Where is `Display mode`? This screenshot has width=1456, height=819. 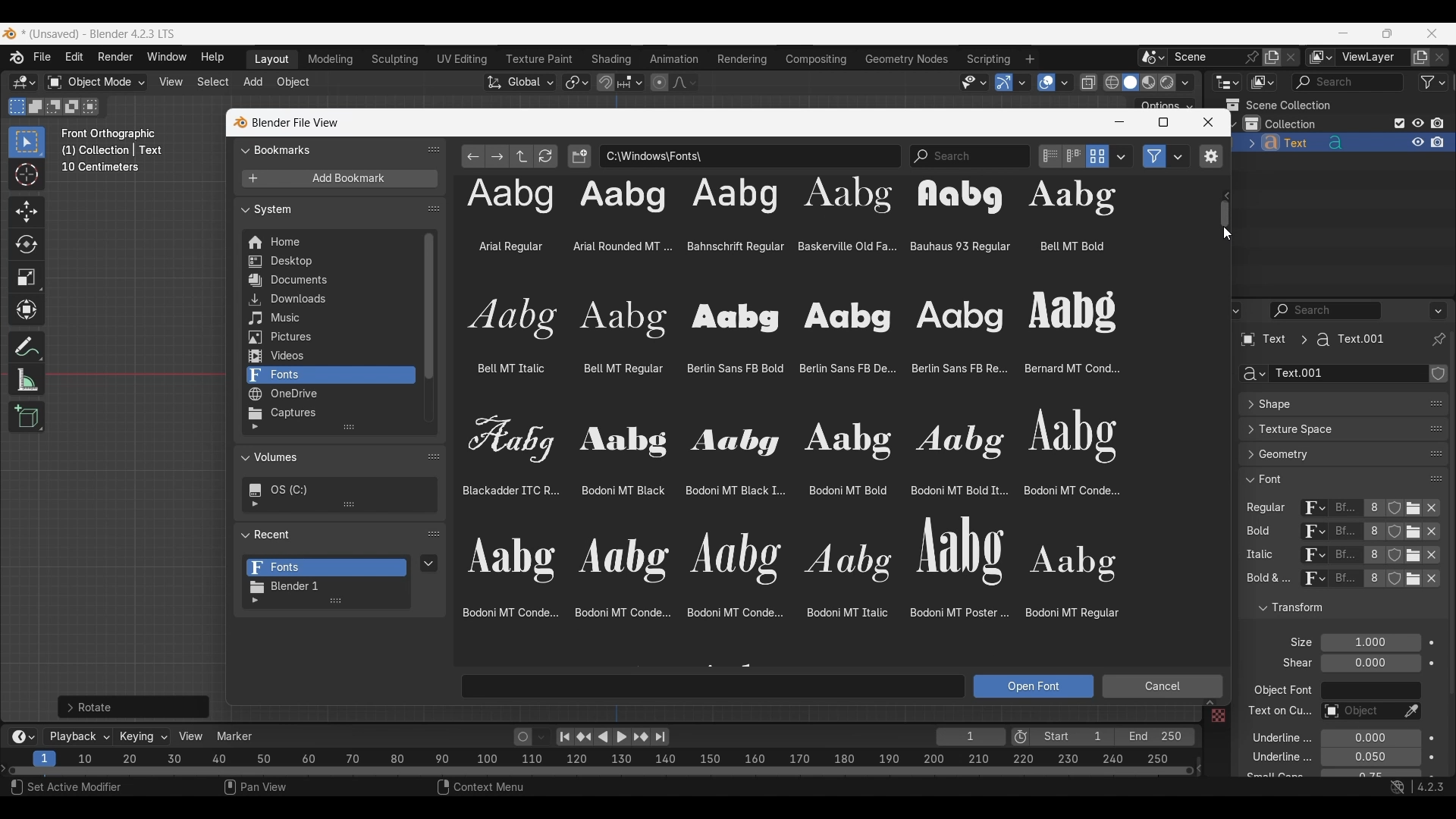 Display mode is located at coordinates (1262, 83).